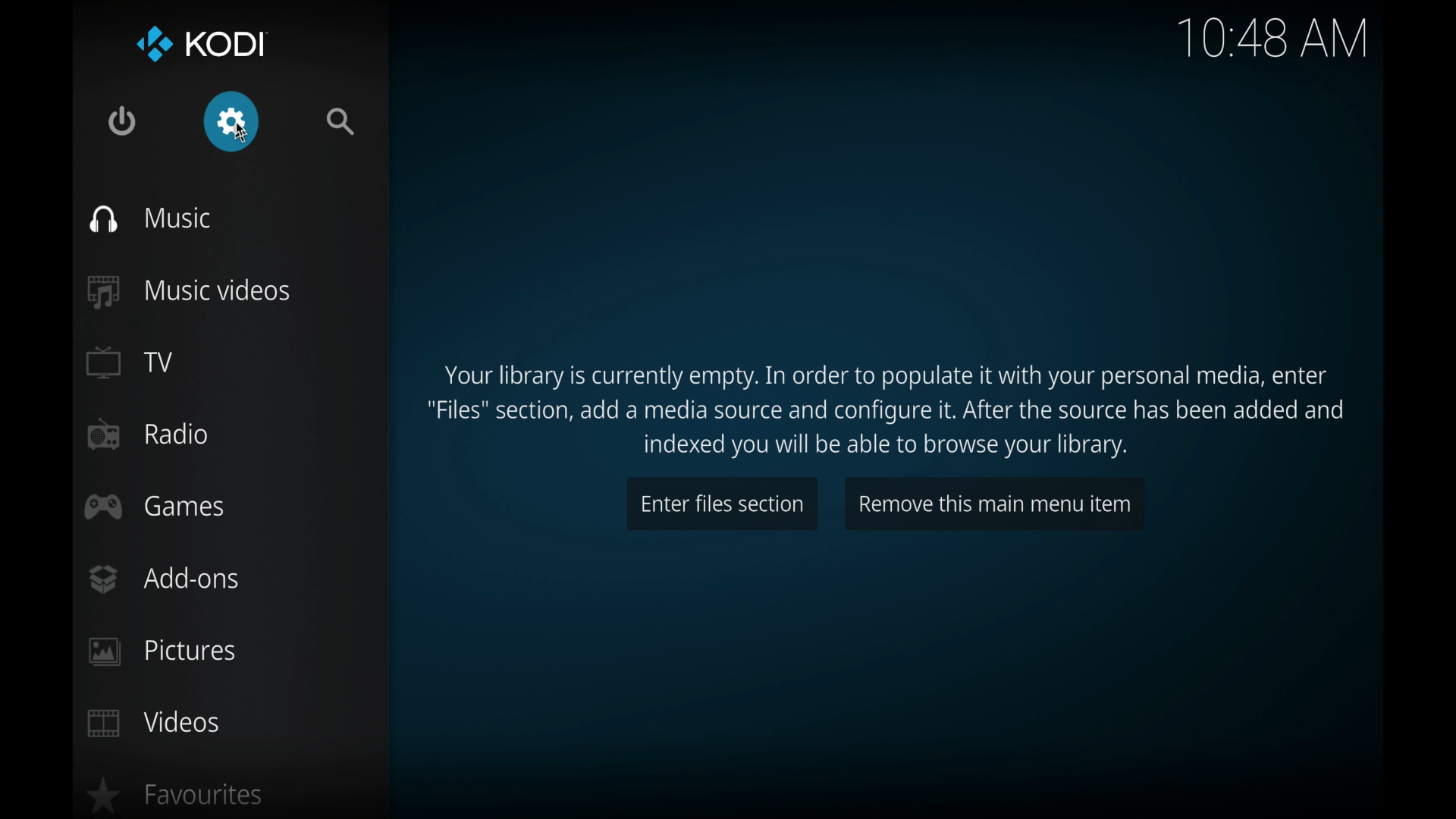  Describe the element at coordinates (996, 504) in the screenshot. I see `remove this main menu item` at that location.